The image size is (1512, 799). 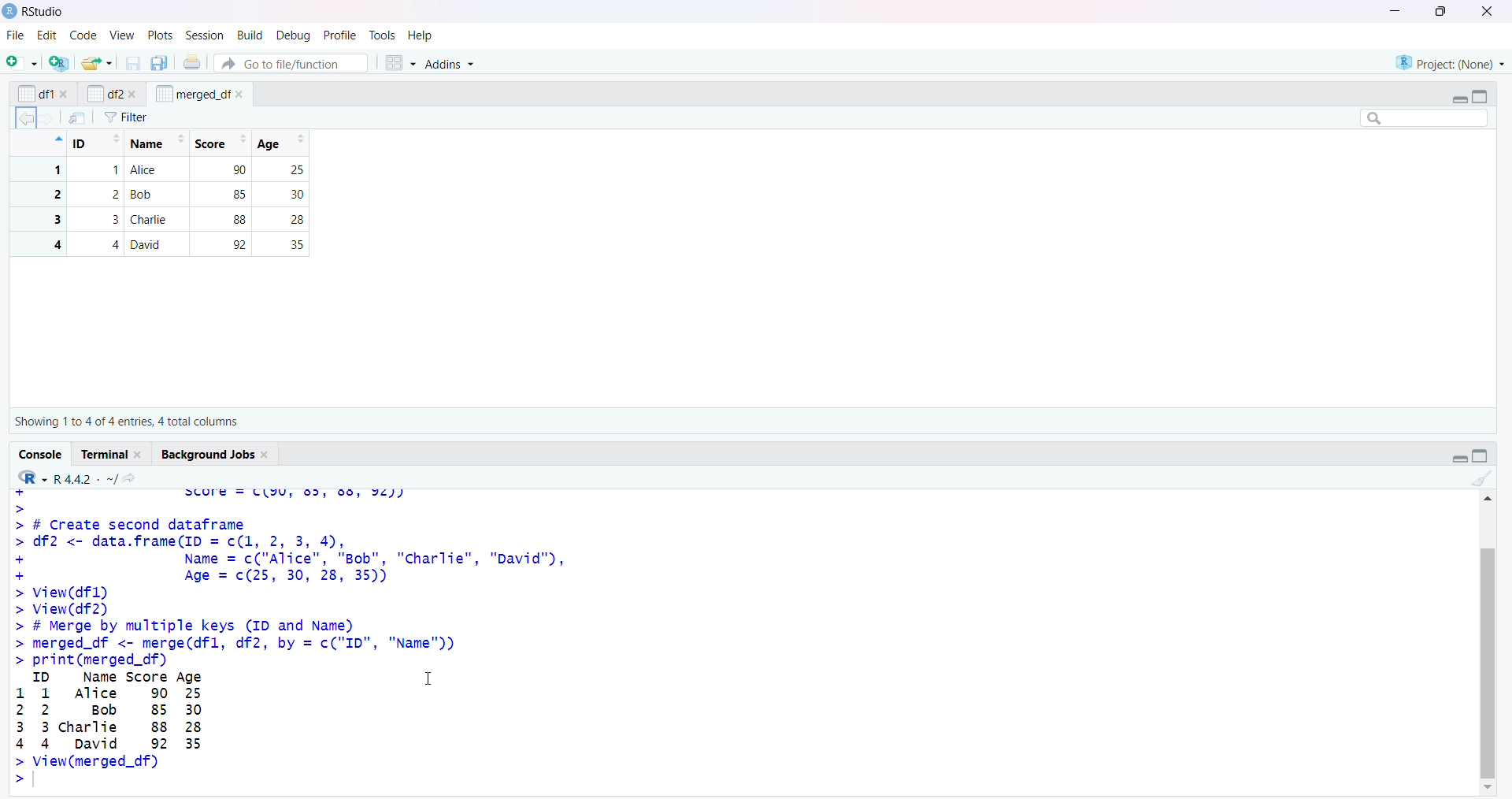 What do you see at coordinates (132, 95) in the screenshot?
I see `close` at bounding box center [132, 95].